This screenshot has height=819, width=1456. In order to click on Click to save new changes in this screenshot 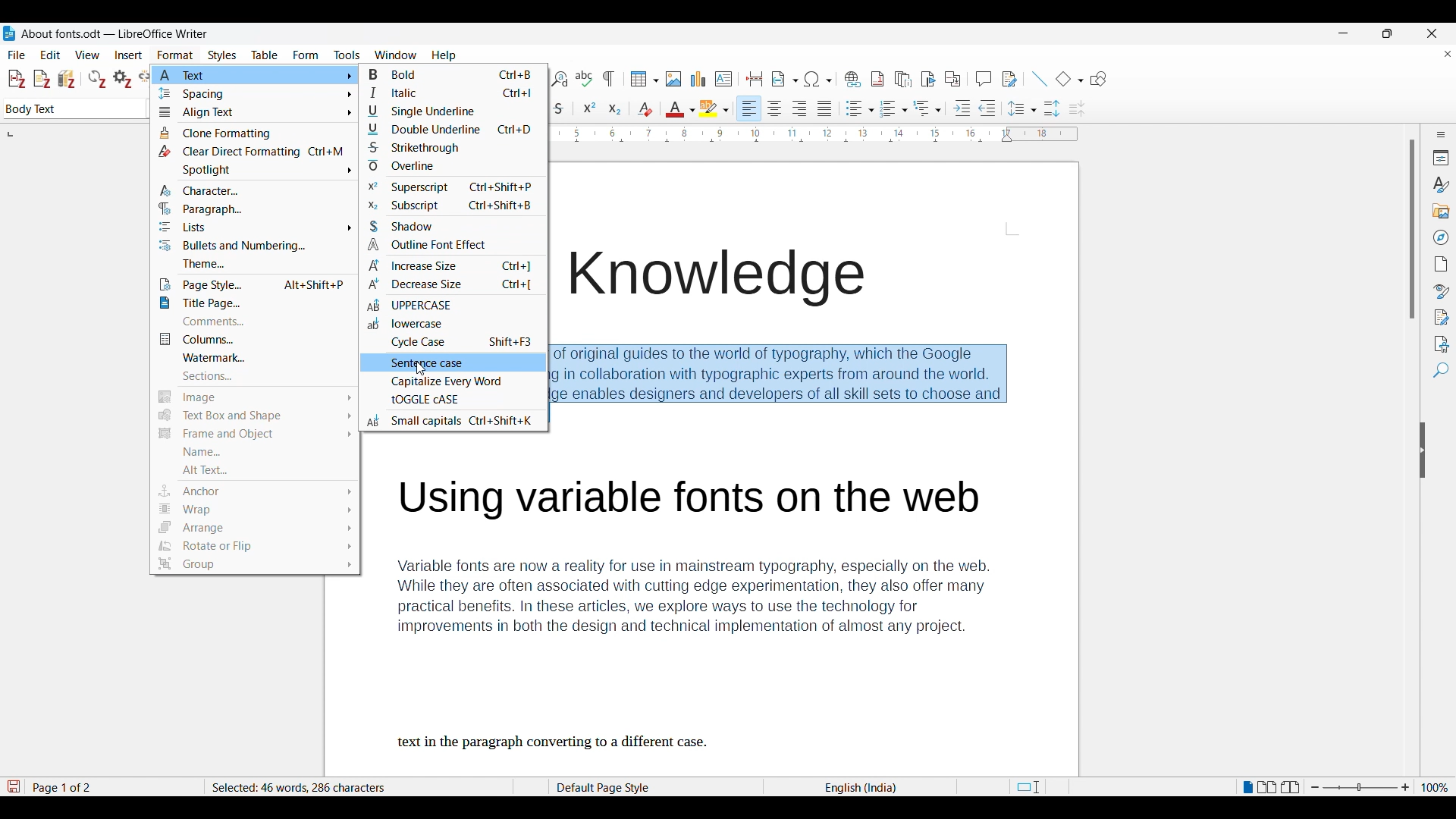, I will do `click(13, 786)`.